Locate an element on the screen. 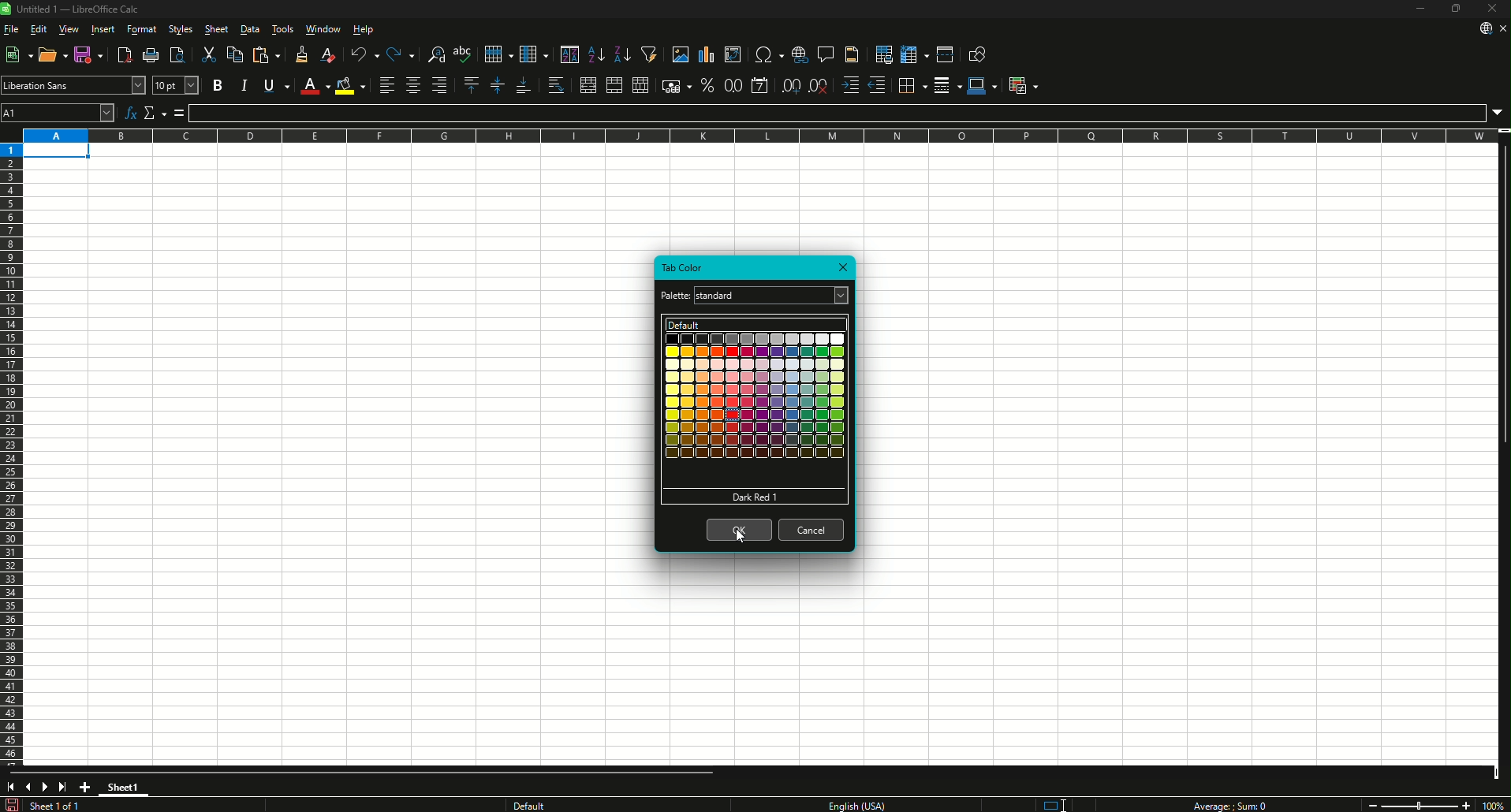 The height and width of the screenshot is (812, 1511). Font is located at coordinates (63, 85).